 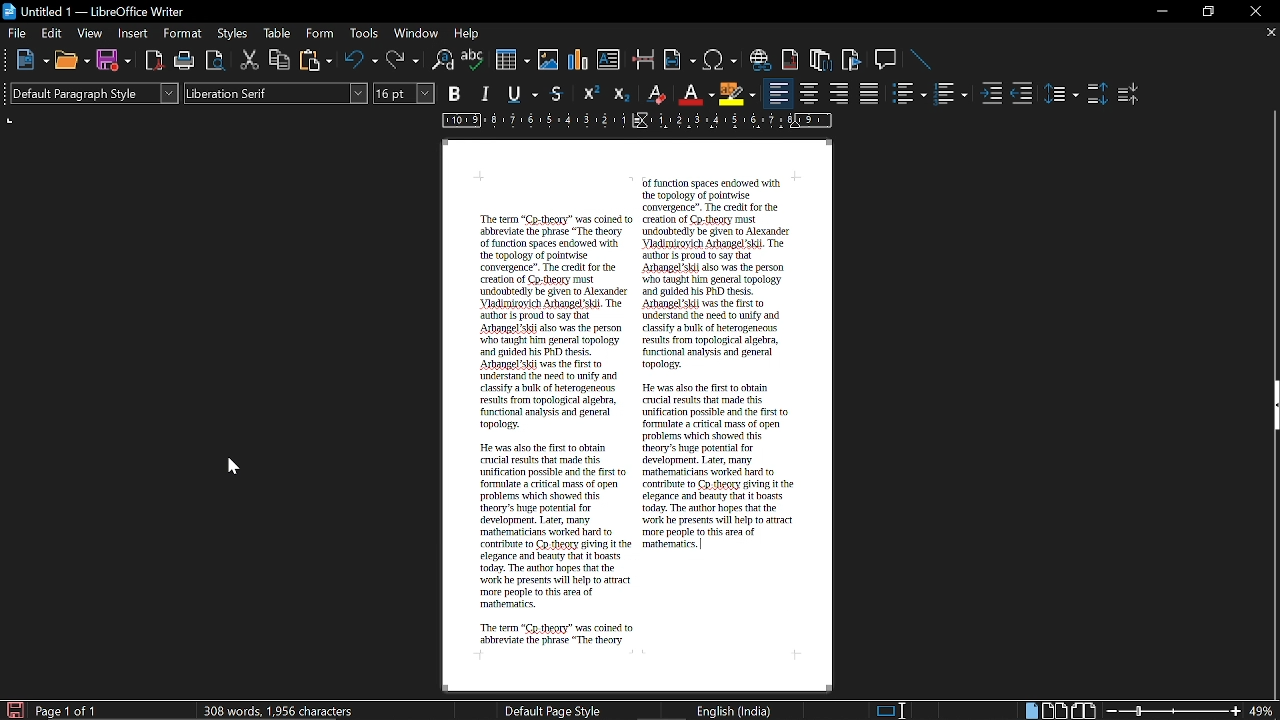 What do you see at coordinates (790, 59) in the screenshot?
I see `Insert endnote` at bounding box center [790, 59].